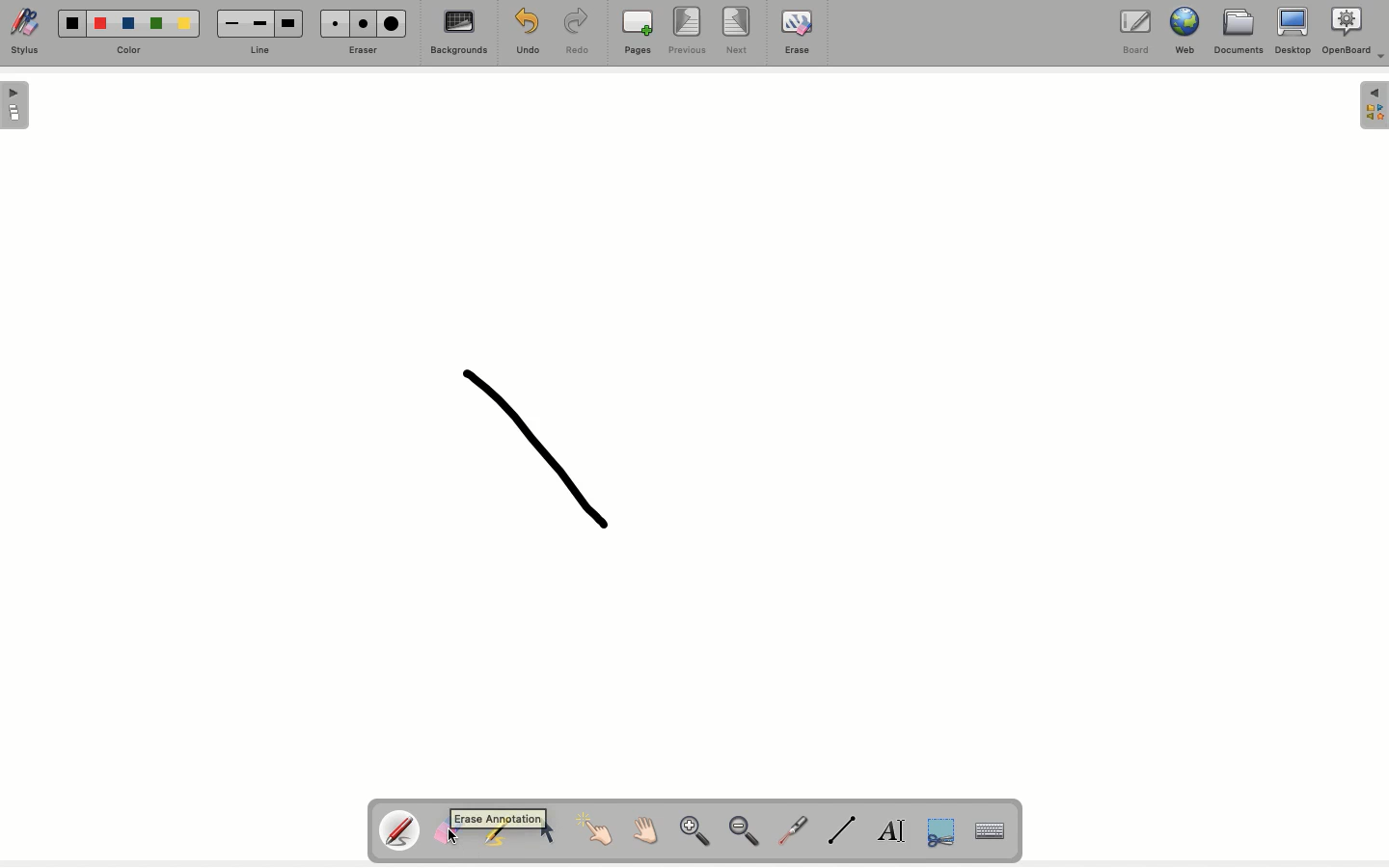 The width and height of the screenshot is (1389, 868). Describe the element at coordinates (940, 833) in the screenshot. I see `Cut` at that location.